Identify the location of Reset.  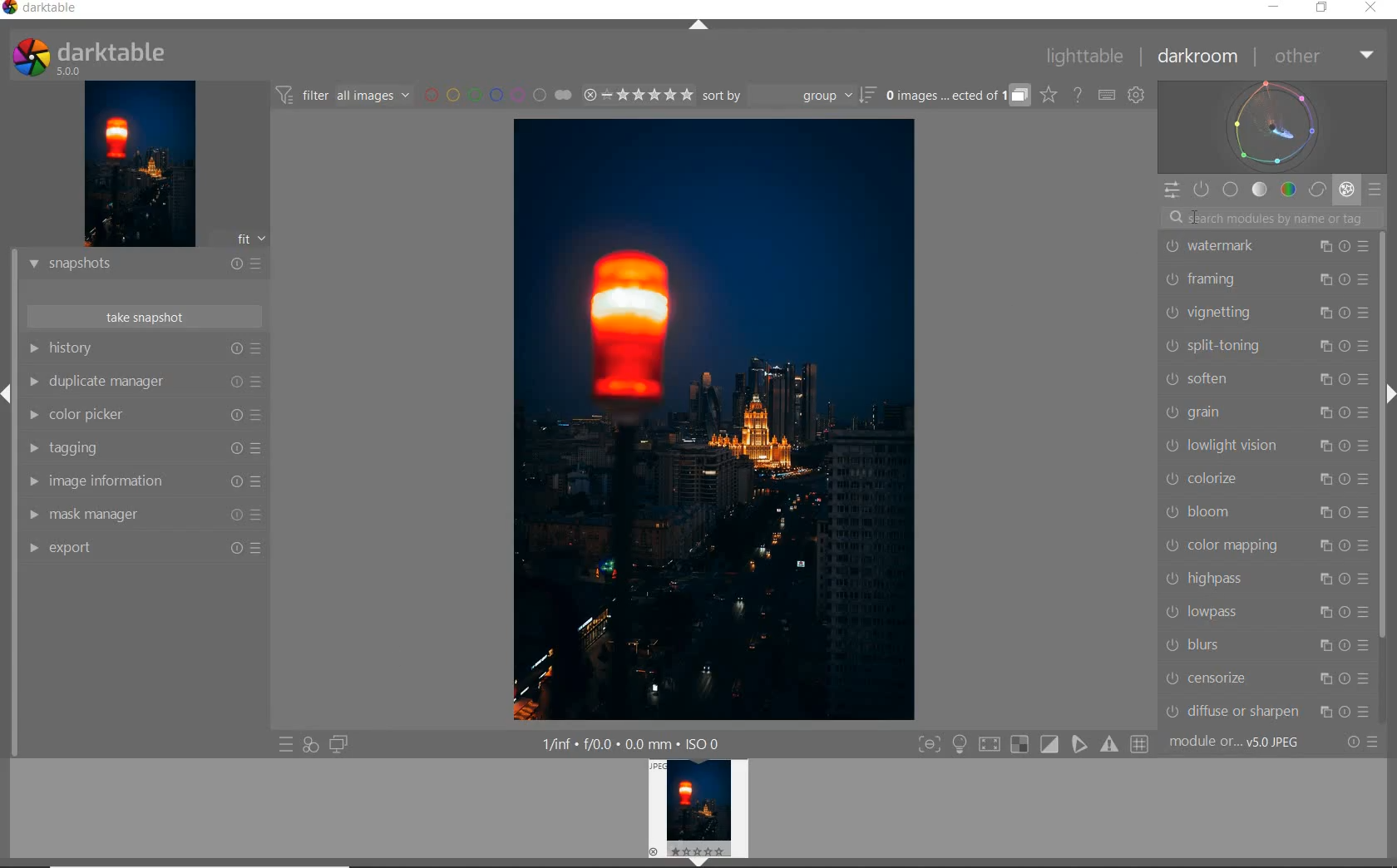
(1345, 678).